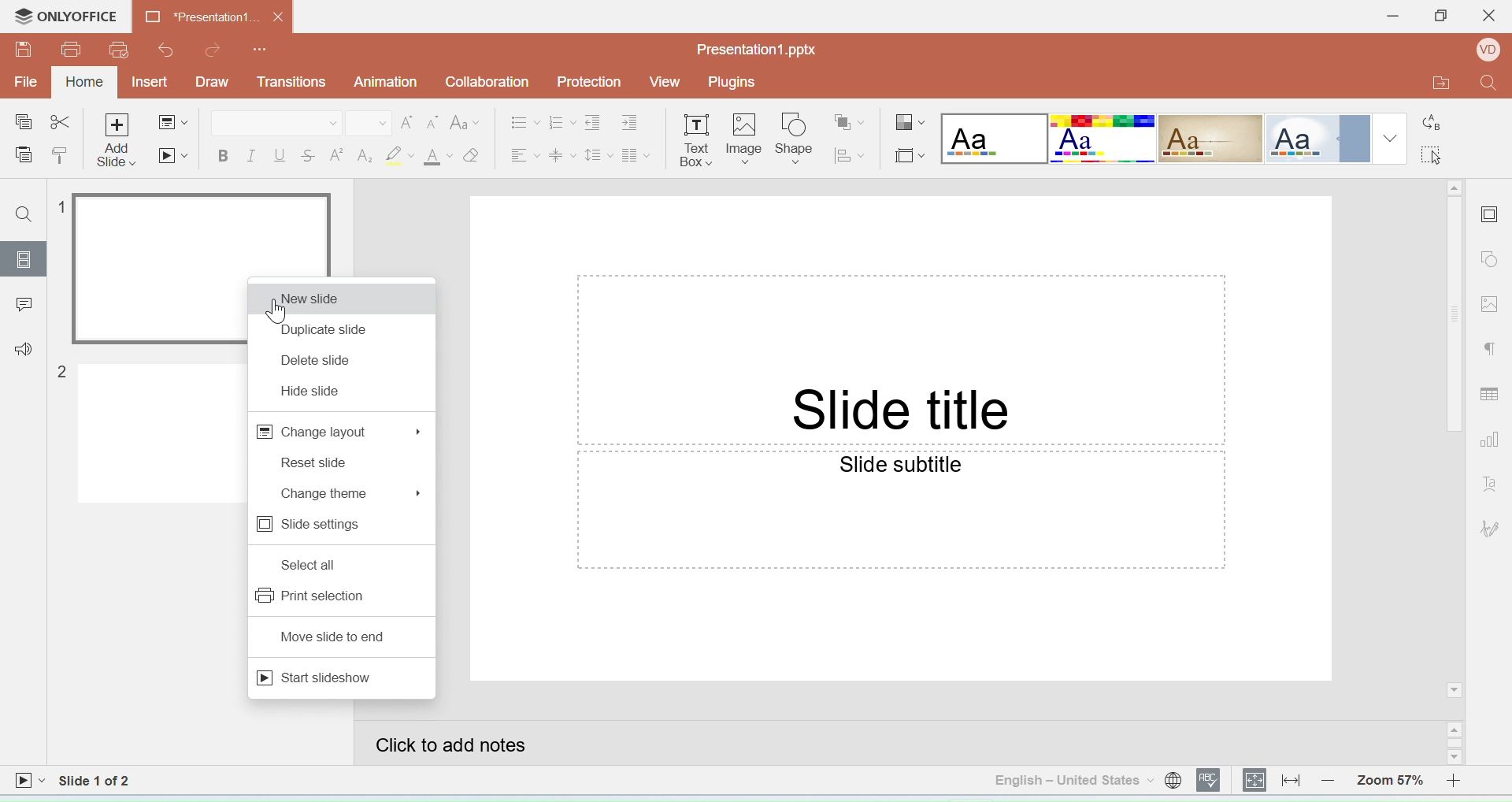 The width and height of the screenshot is (1512, 802). Describe the element at coordinates (745, 141) in the screenshot. I see `Insert image` at that location.